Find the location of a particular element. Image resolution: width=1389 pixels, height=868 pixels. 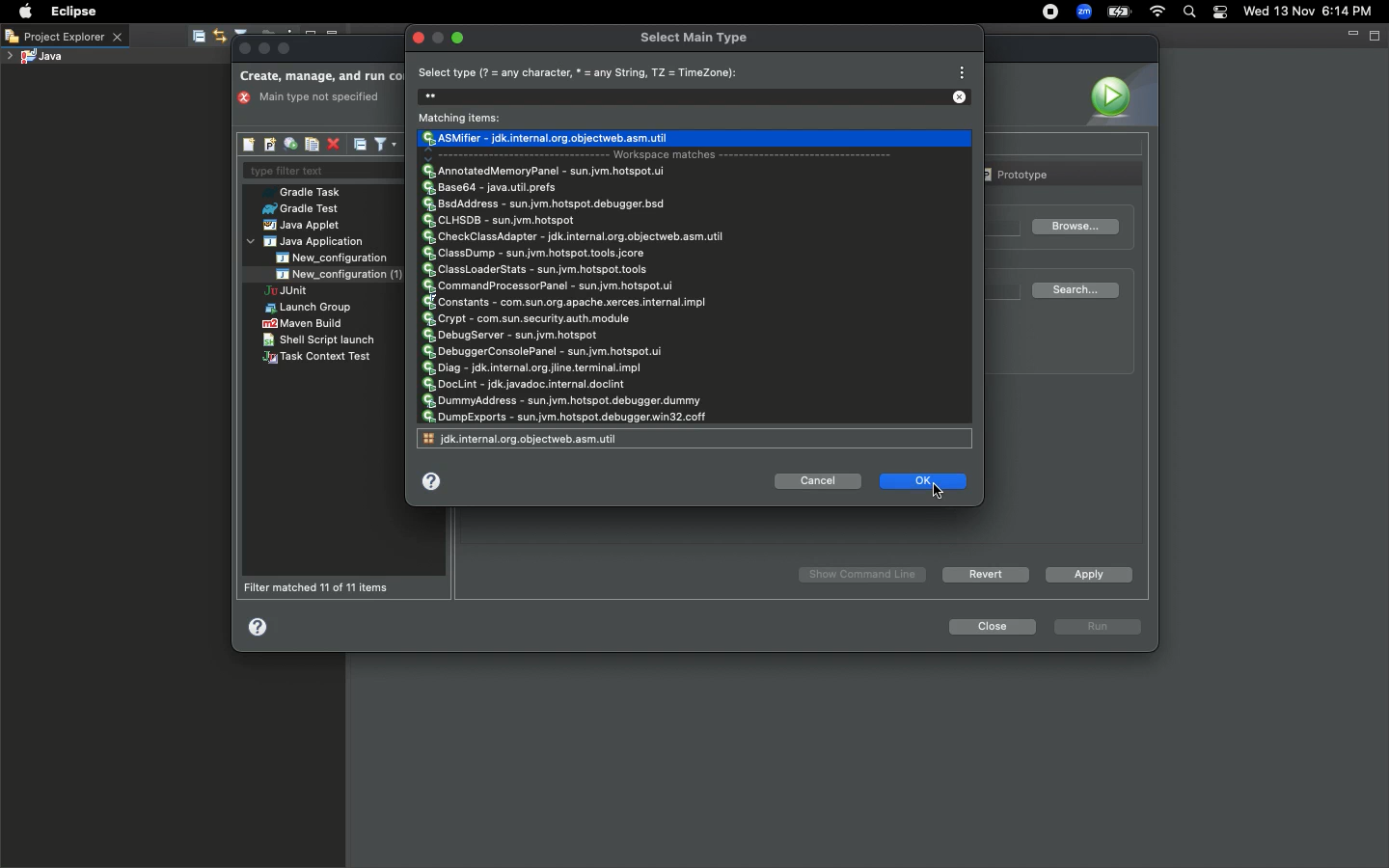

Search... is located at coordinates (1079, 290).